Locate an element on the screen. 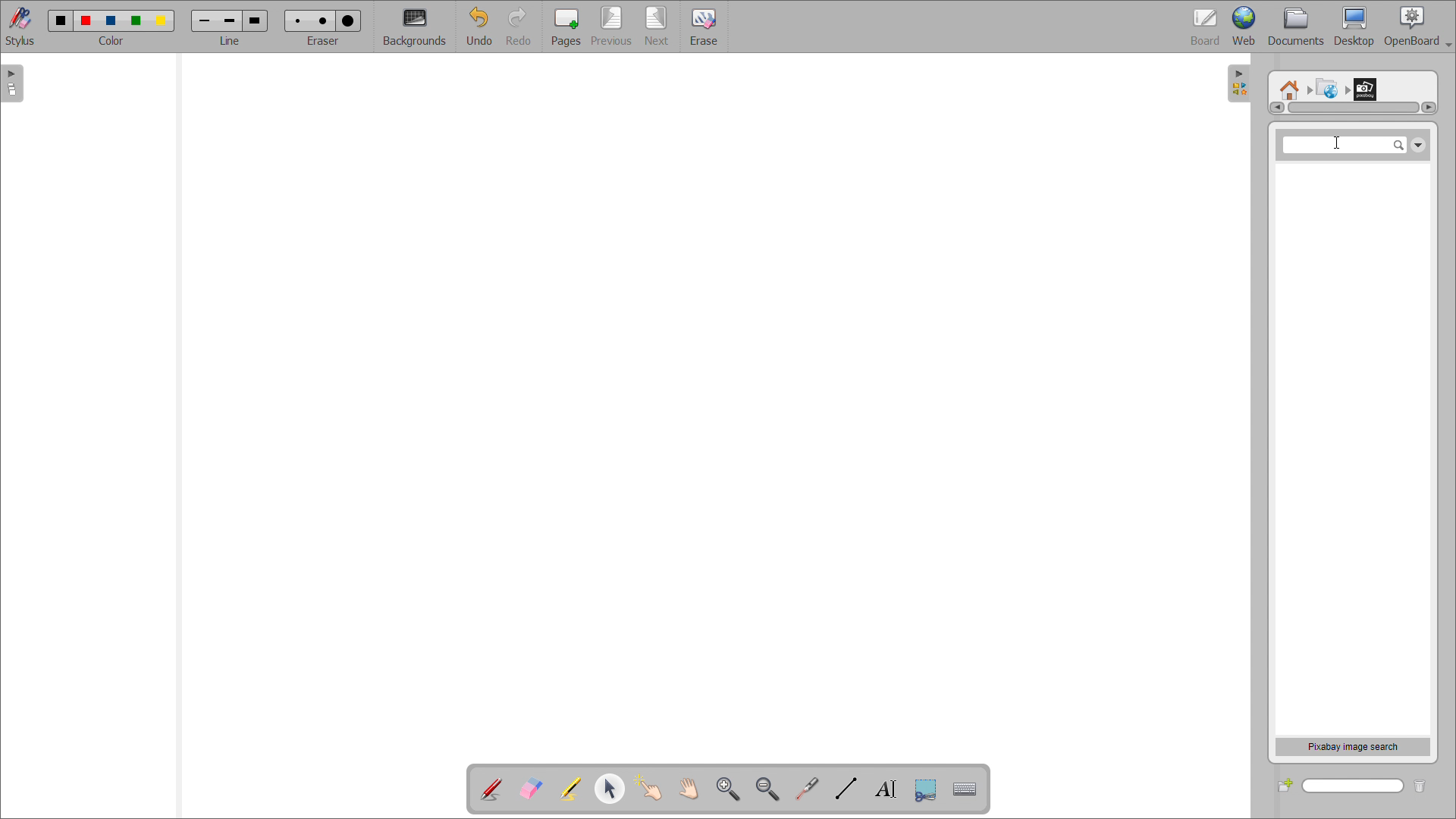 Image resolution: width=1456 pixels, height=819 pixels. scroll page is located at coordinates (688, 787).